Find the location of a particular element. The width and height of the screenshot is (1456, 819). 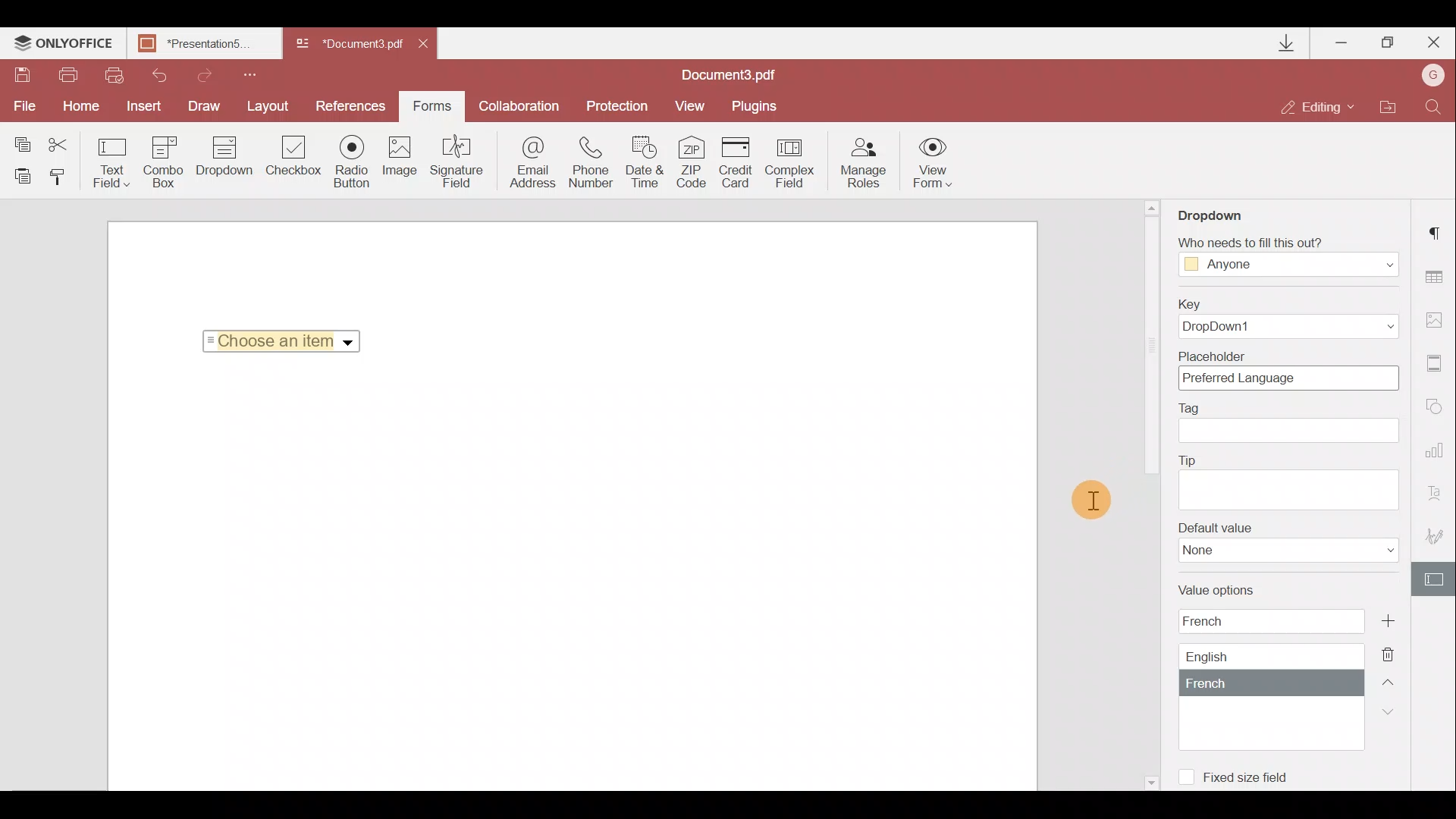

Radio button is located at coordinates (352, 161).